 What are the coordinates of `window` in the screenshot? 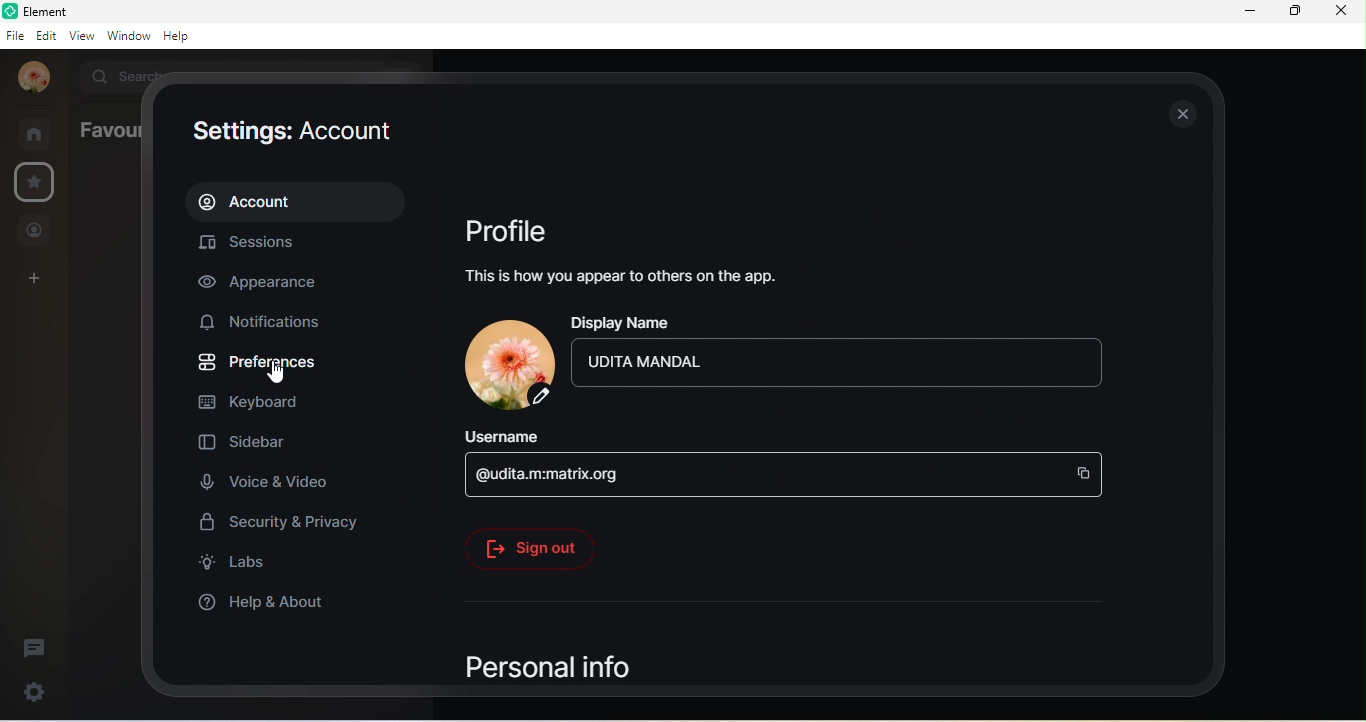 It's located at (127, 37).